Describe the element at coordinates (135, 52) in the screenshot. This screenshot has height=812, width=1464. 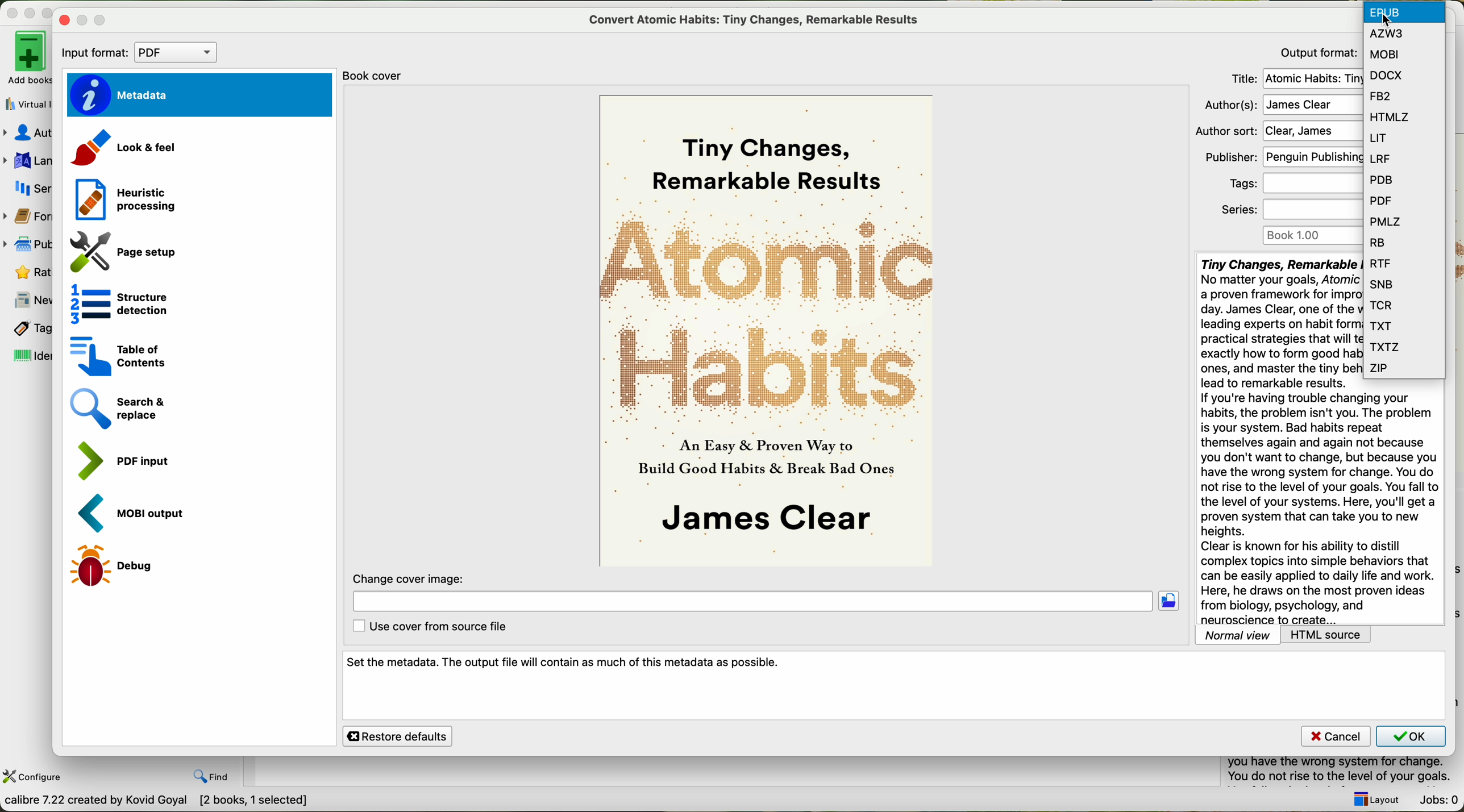
I see `input format` at that location.